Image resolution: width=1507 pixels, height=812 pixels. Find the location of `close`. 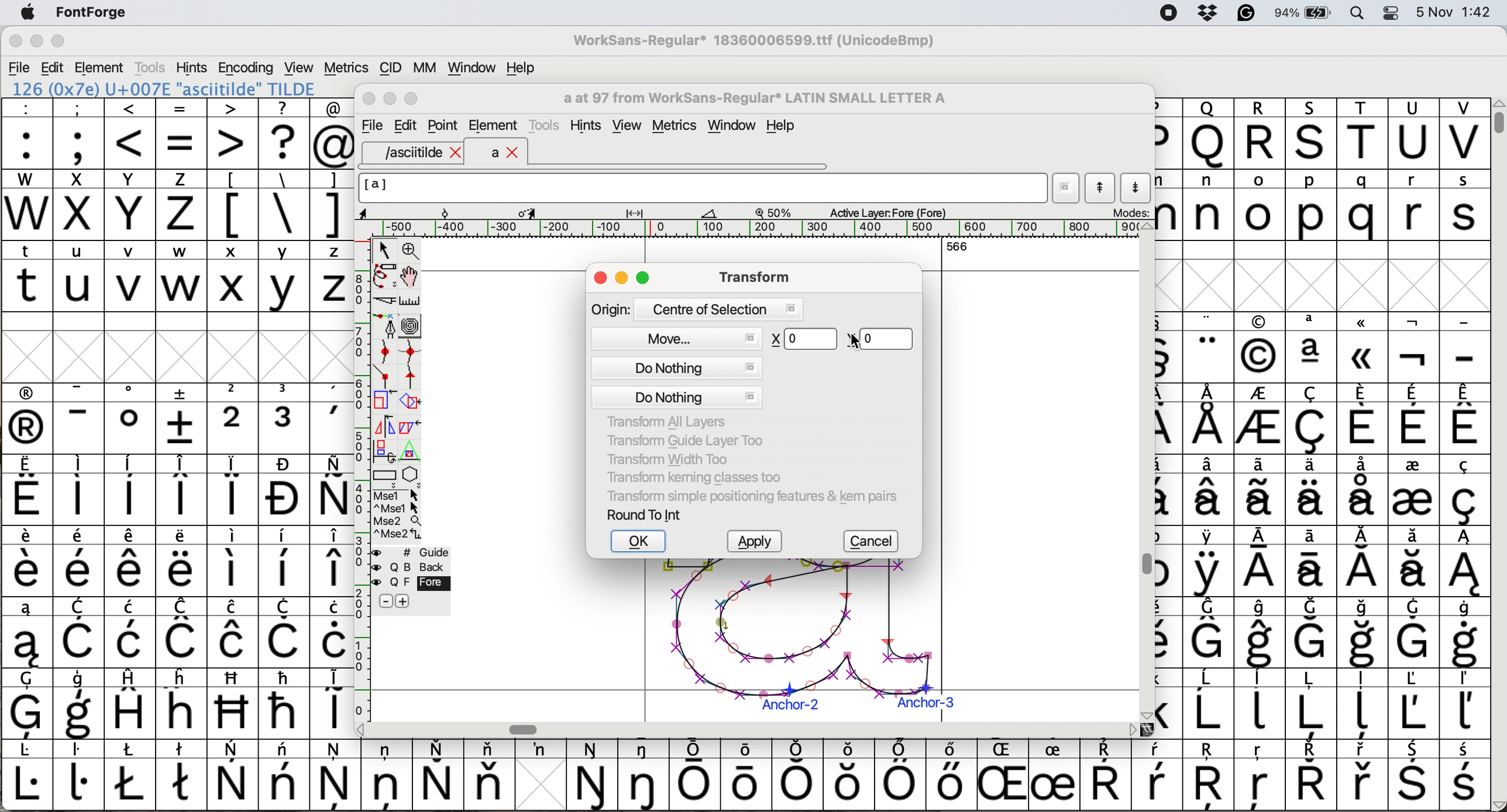

close is located at coordinates (600, 279).